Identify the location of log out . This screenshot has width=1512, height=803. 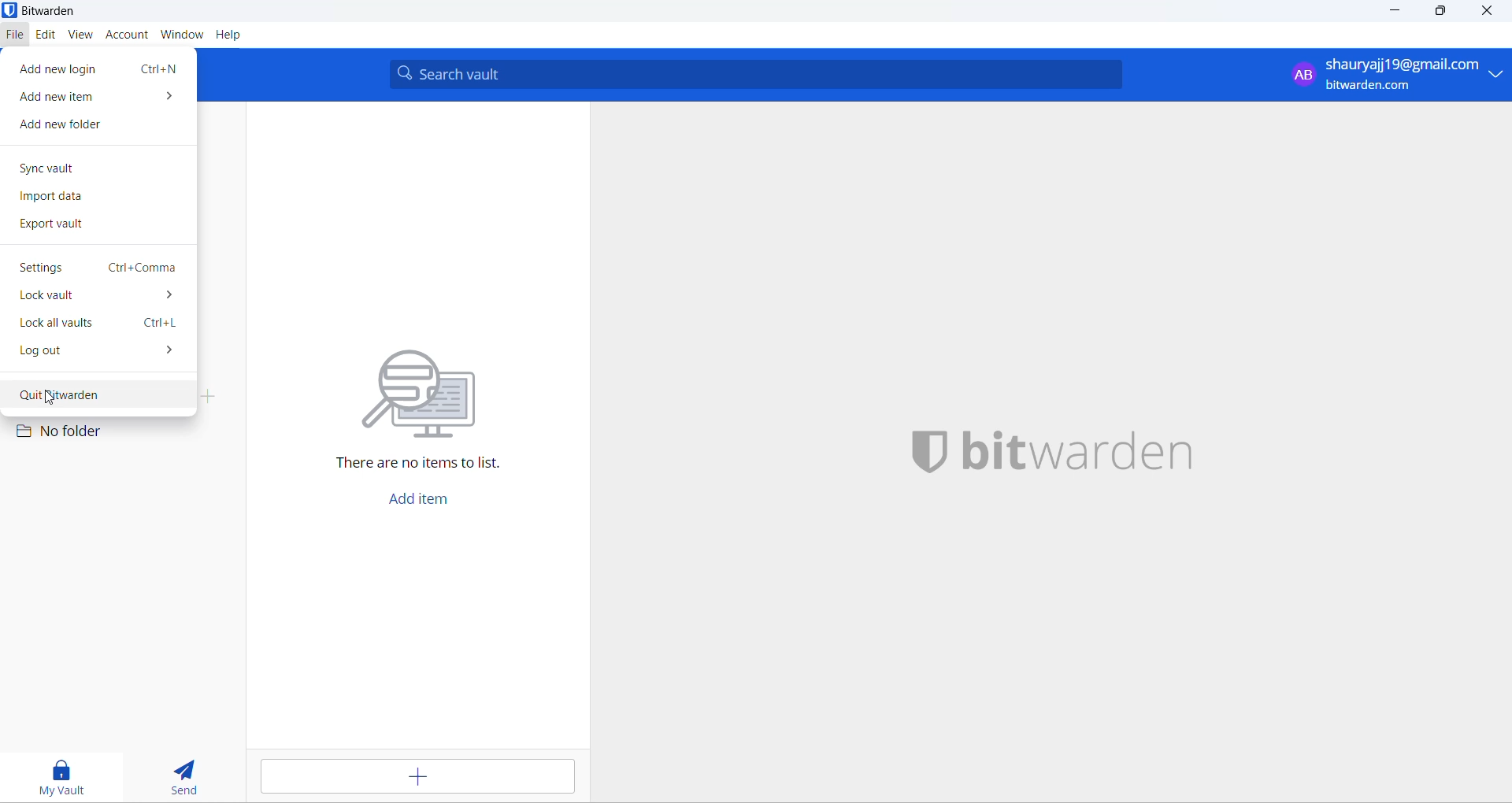
(94, 356).